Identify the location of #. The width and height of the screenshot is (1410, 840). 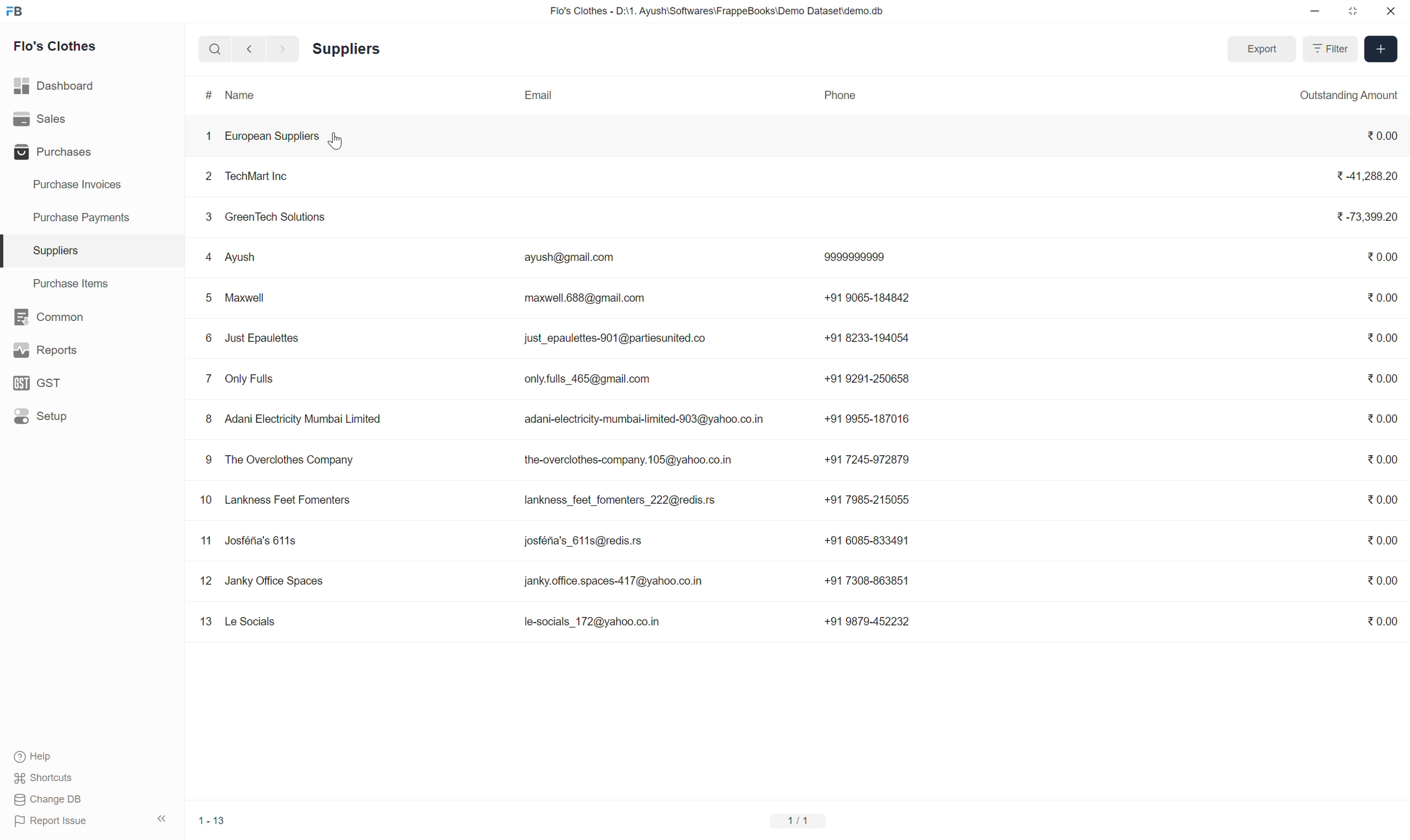
(203, 96).